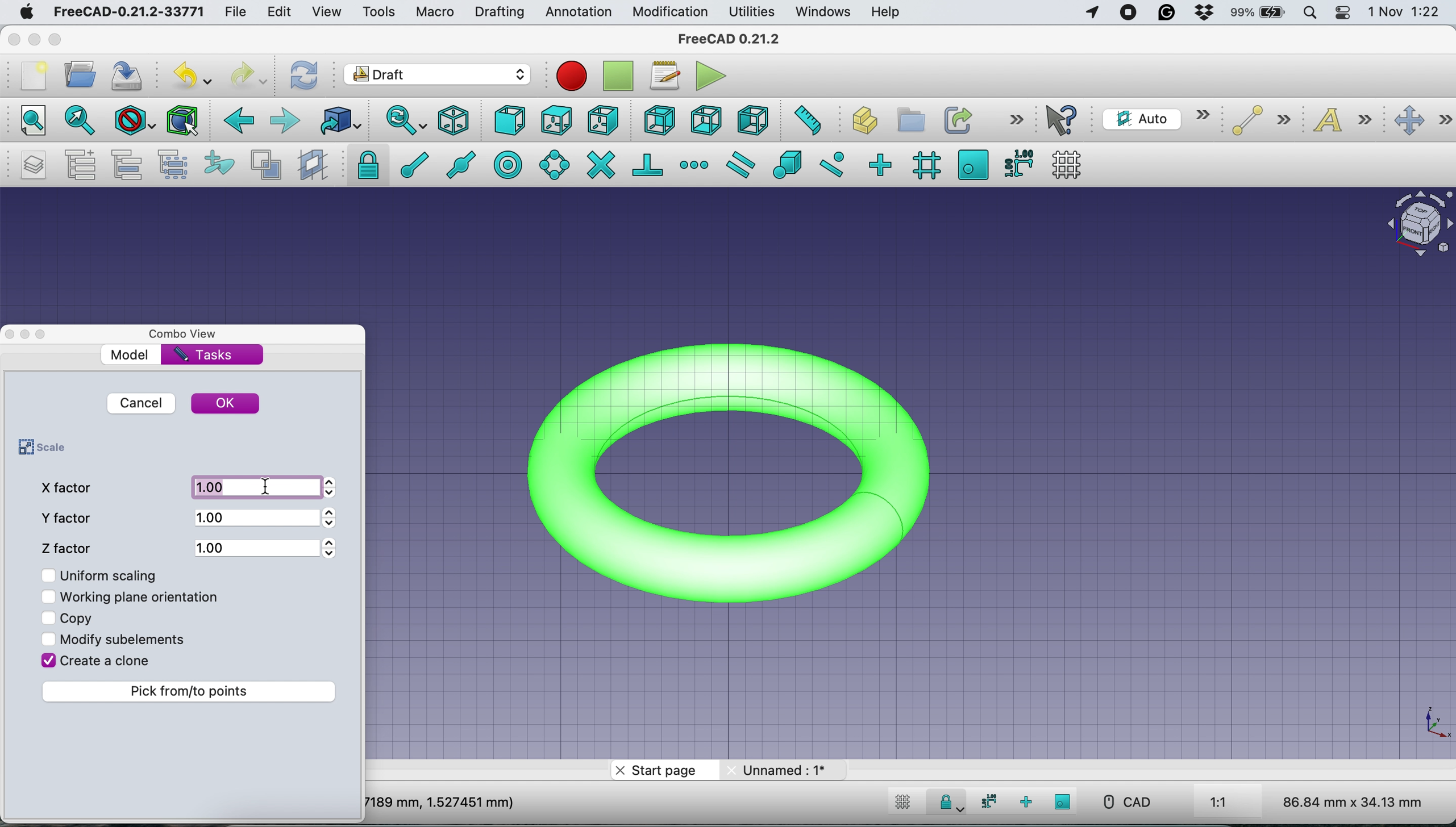  What do you see at coordinates (903, 804) in the screenshot?
I see `toggle grid` at bounding box center [903, 804].